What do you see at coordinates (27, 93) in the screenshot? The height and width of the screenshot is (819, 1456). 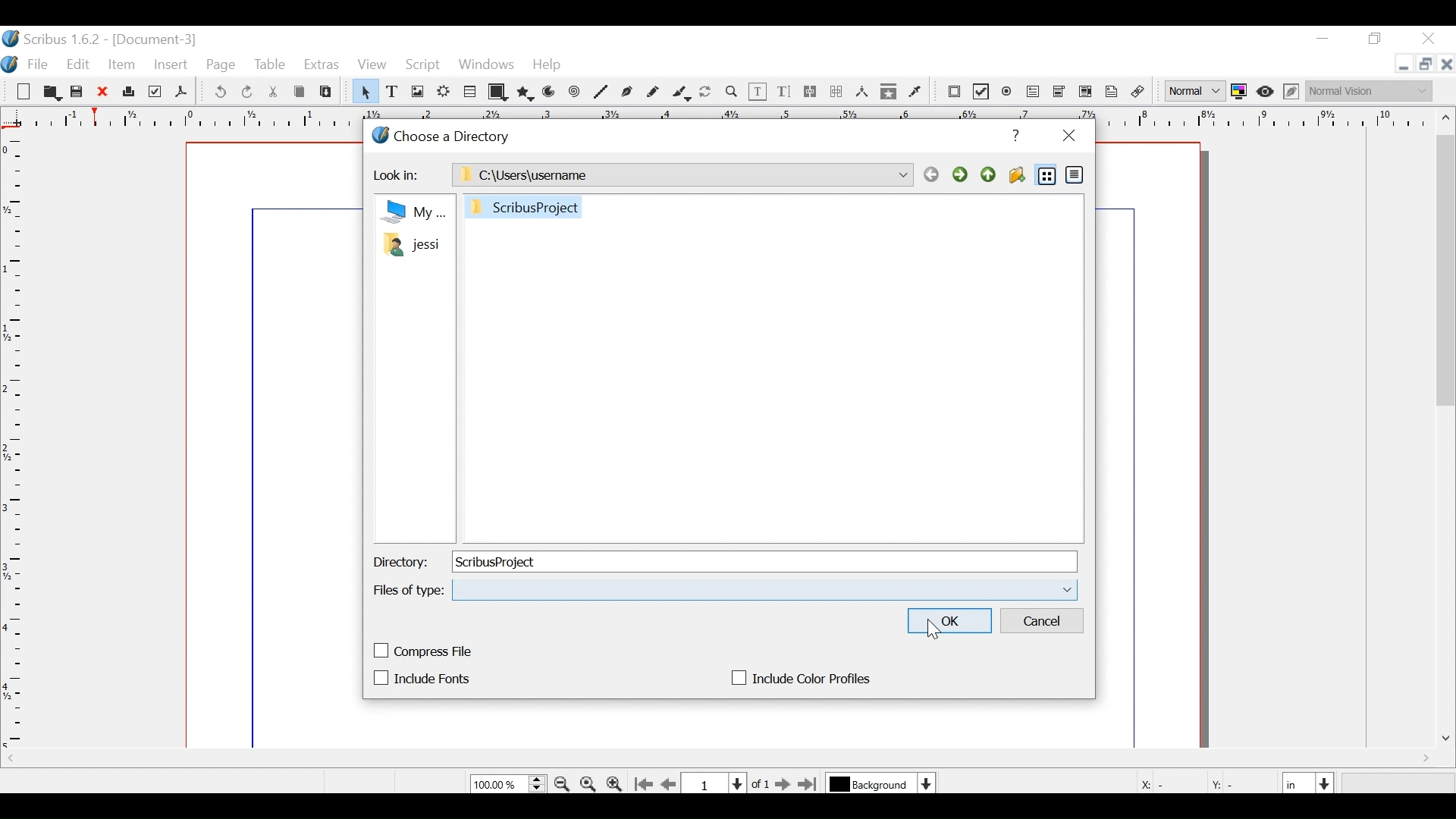 I see `New` at bounding box center [27, 93].